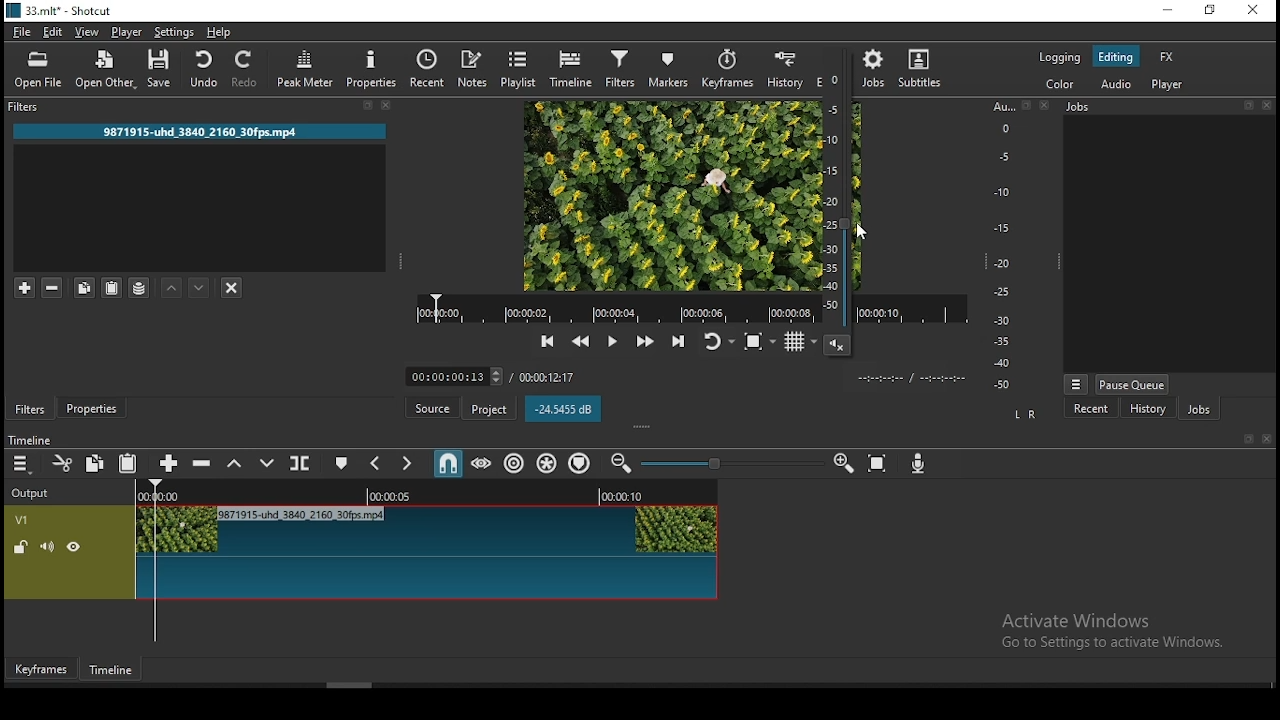 The width and height of the screenshot is (1280, 720). What do you see at coordinates (31, 438) in the screenshot?
I see `time line` at bounding box center [31, 438].